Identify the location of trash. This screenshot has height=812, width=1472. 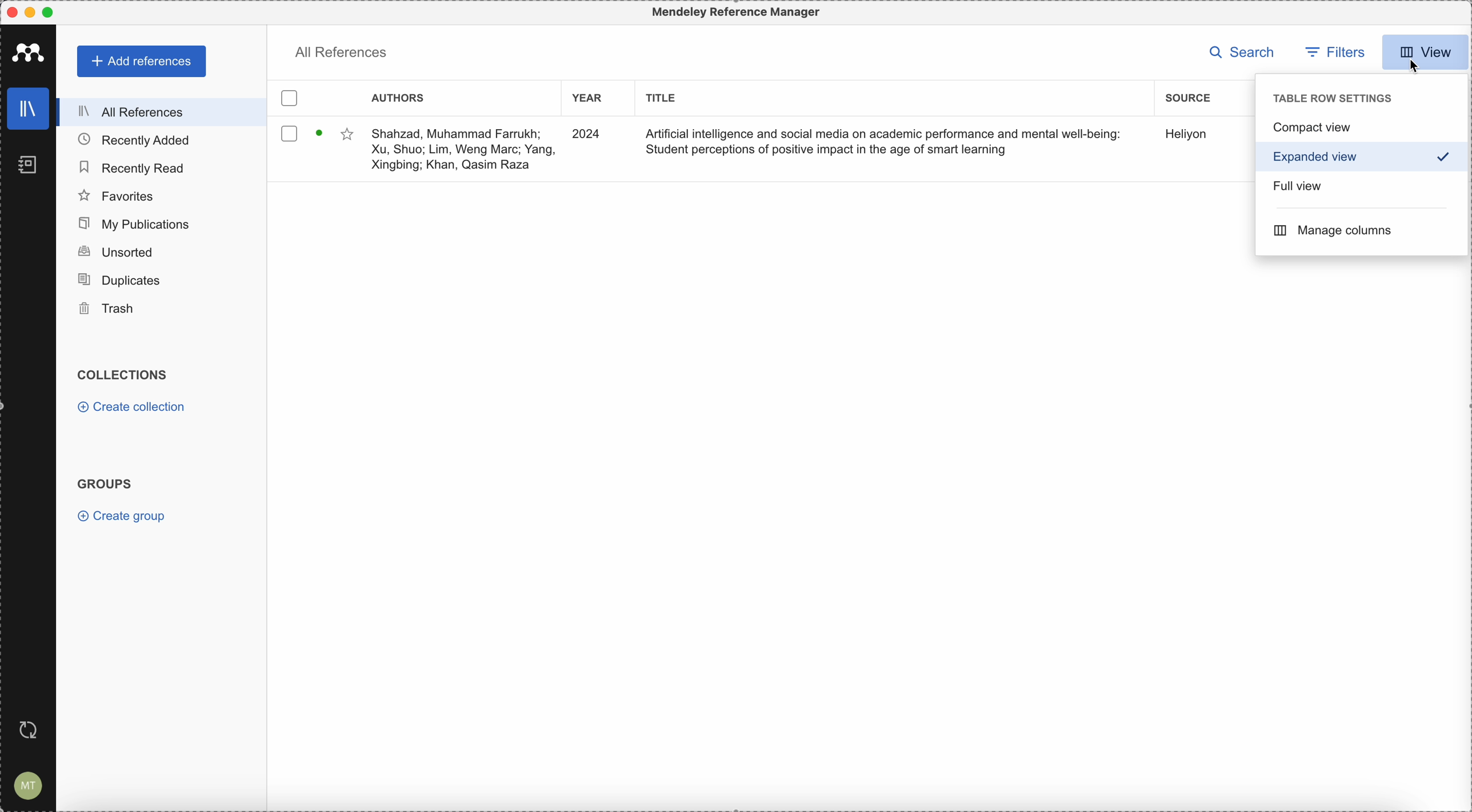
(105, 309).